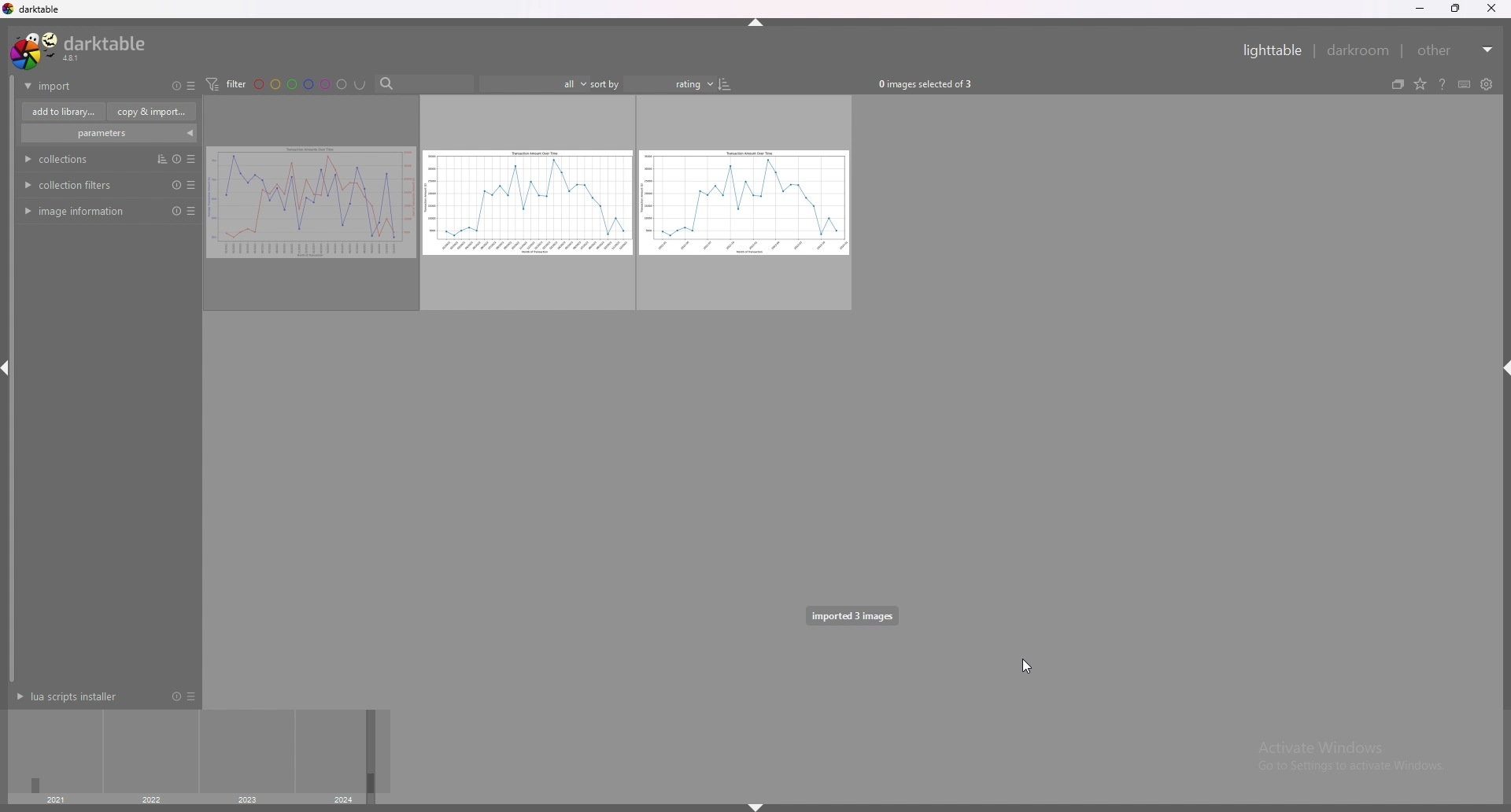 Image resolution: width=1511 pixels, height=812 pixels. I want to click on sort by, so click(652, 83).